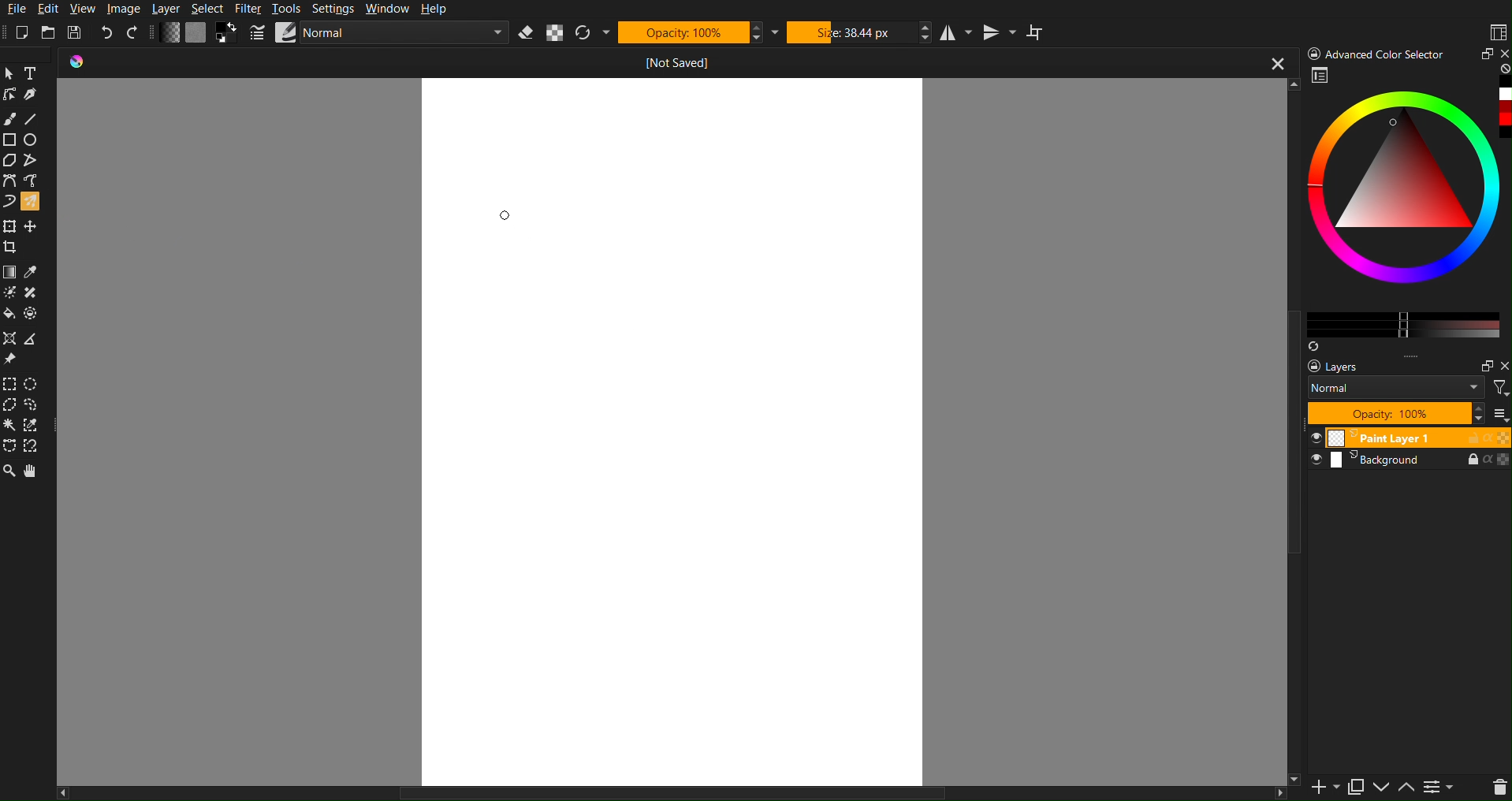 This screenshot has height=801, width=1512. I want to click on Change Opacity, so click(170, 33).